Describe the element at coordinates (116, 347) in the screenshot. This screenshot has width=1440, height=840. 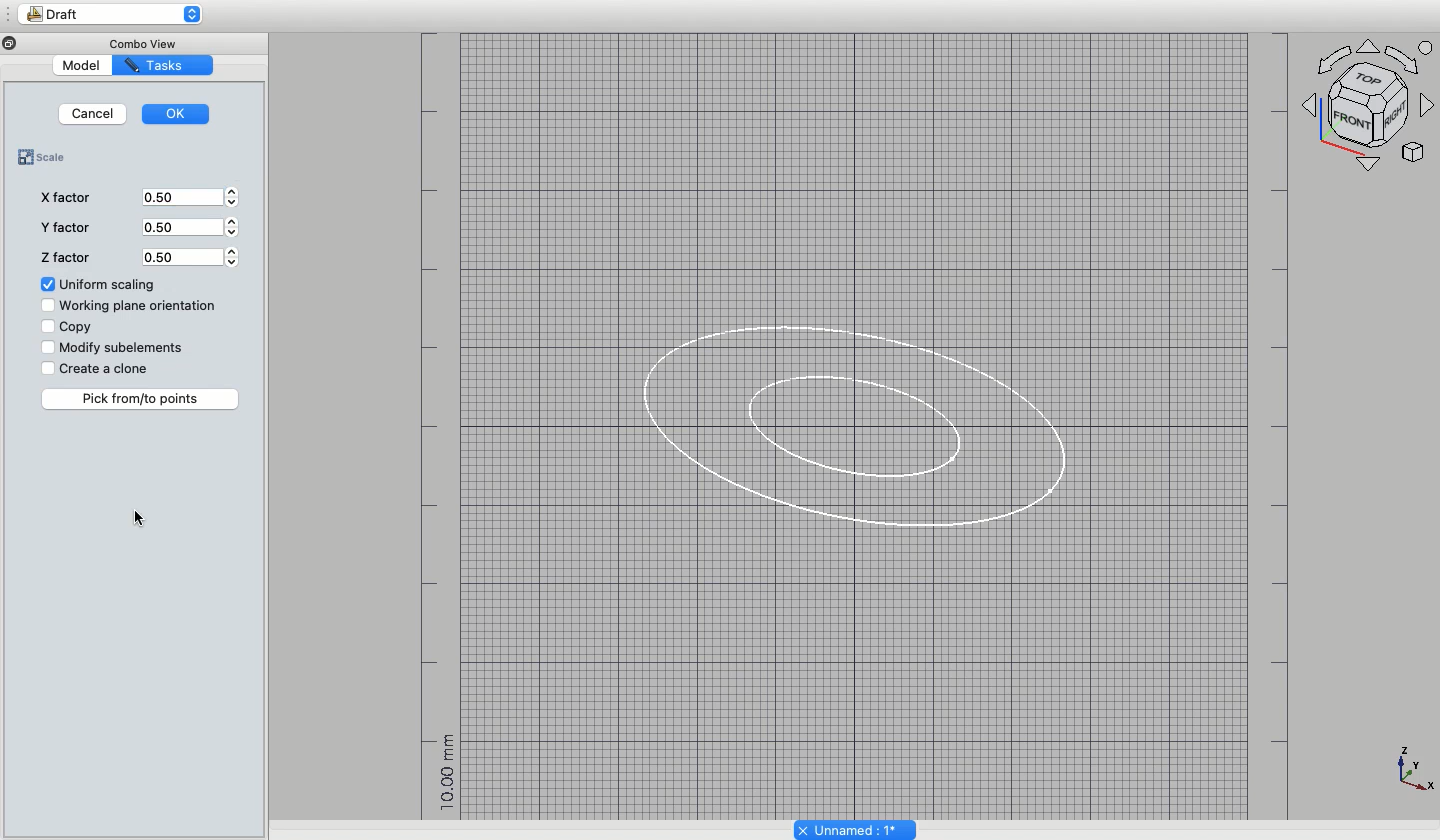
I see `Modify subelements` at that location.